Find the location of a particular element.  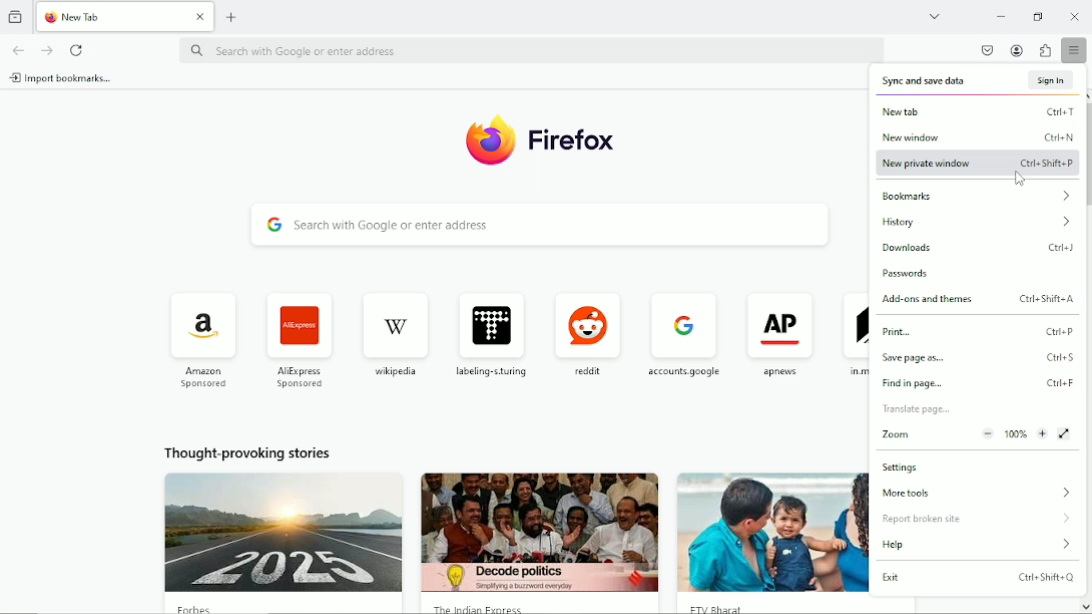

history is located at coordinates (978, 222).